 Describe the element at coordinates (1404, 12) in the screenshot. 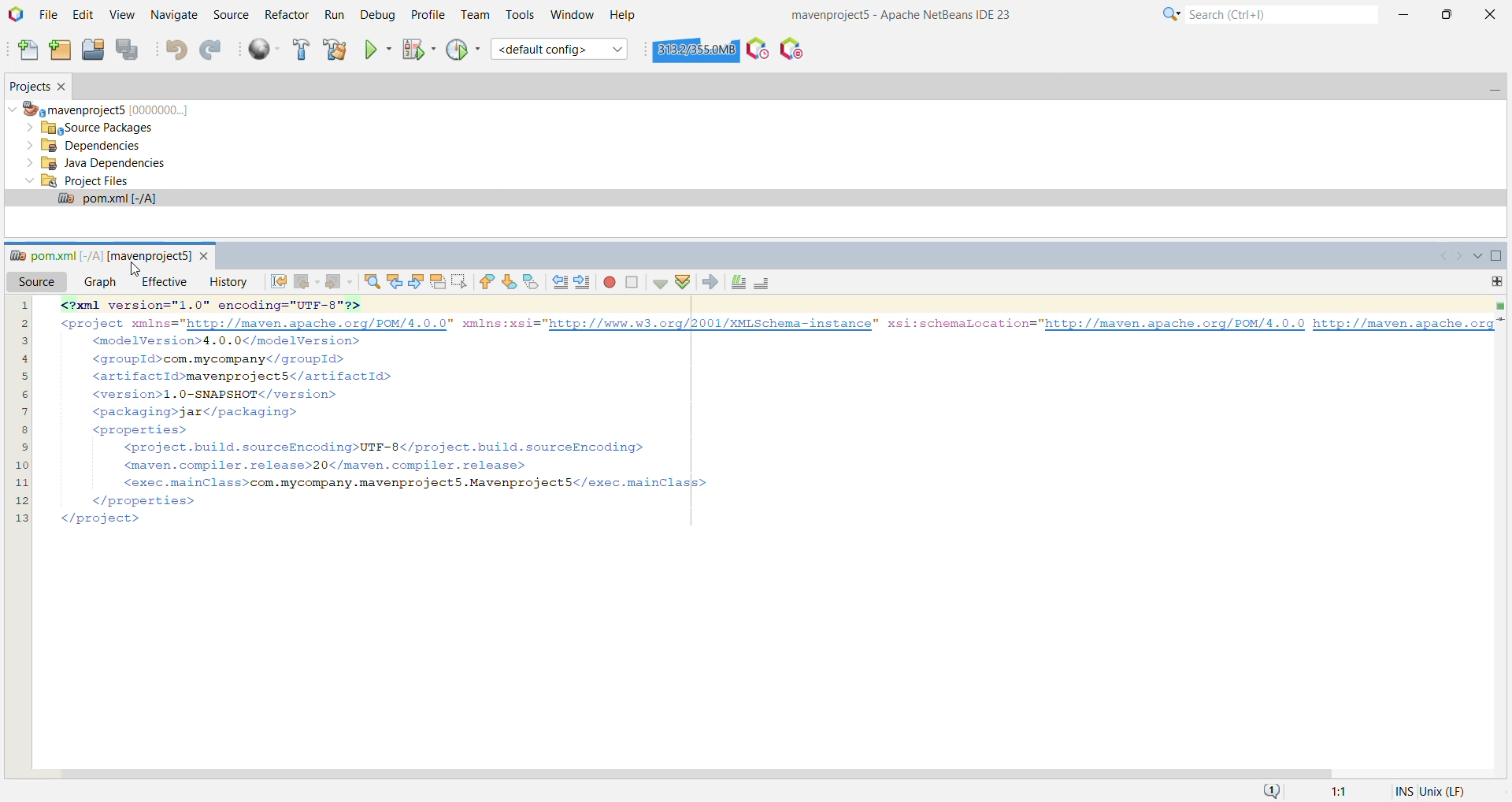

I see `Minimize` at that location.